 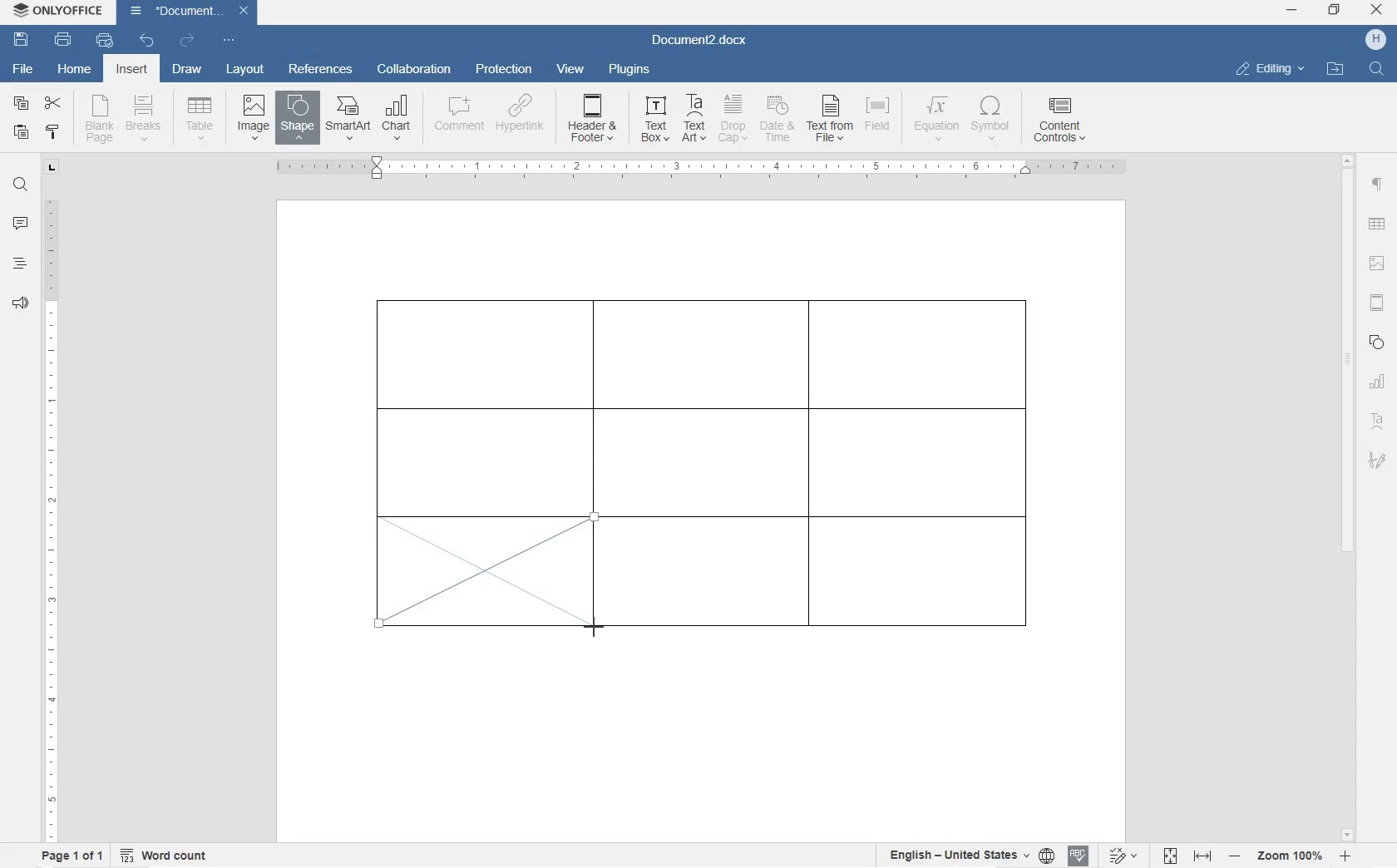 What do you see at coordinates (881, 121) in the screenshot?
I see `FIELD` at bounding box center [881, 121].